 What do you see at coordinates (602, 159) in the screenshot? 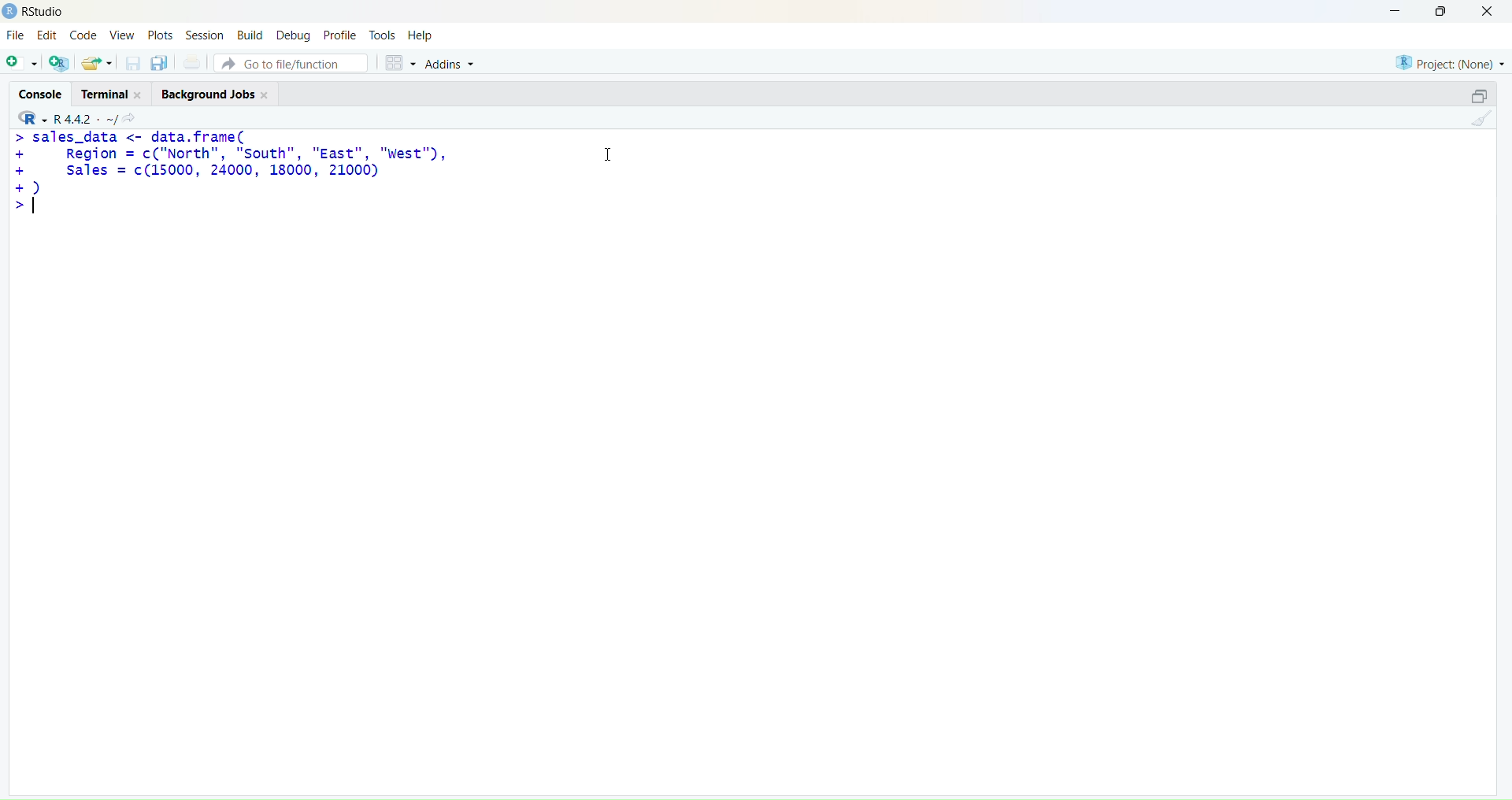
I see `cursor` at bounding box center [602, 159].